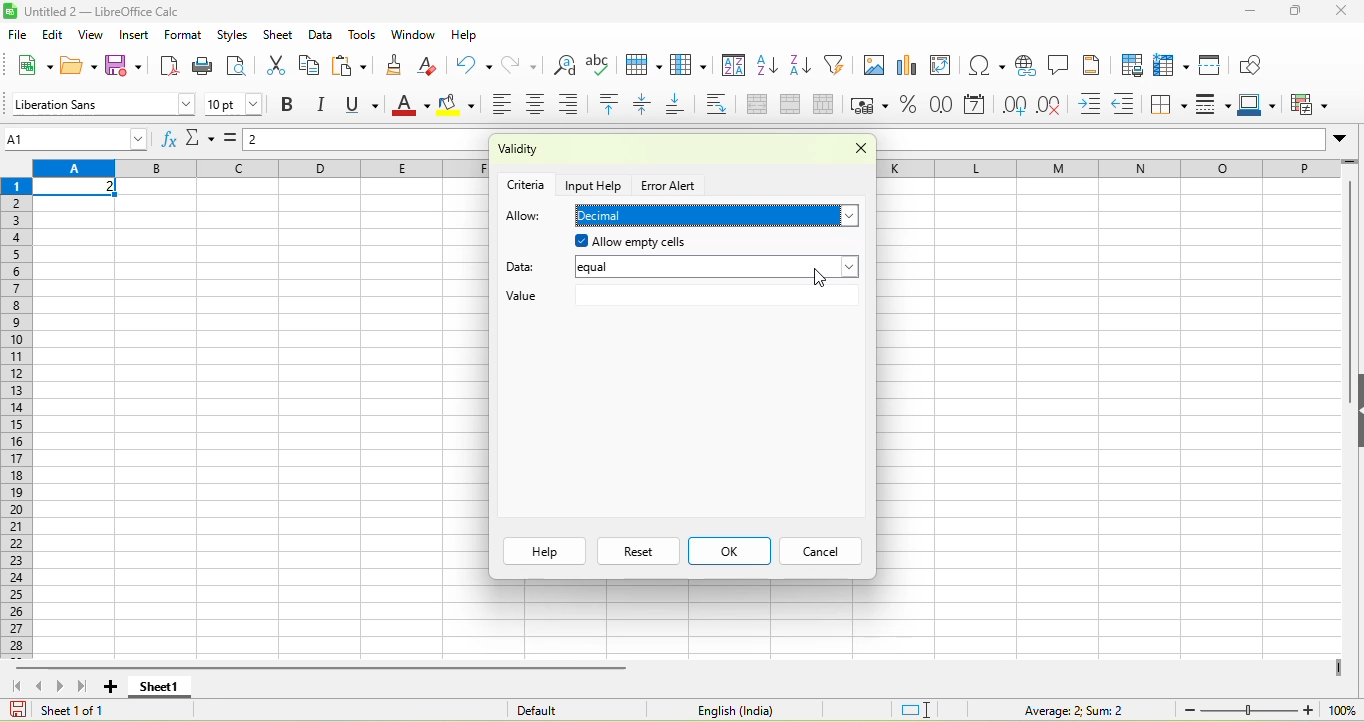 This screenshot has height=722, width=1364. I want to click on define print area, so click(1131, 65).